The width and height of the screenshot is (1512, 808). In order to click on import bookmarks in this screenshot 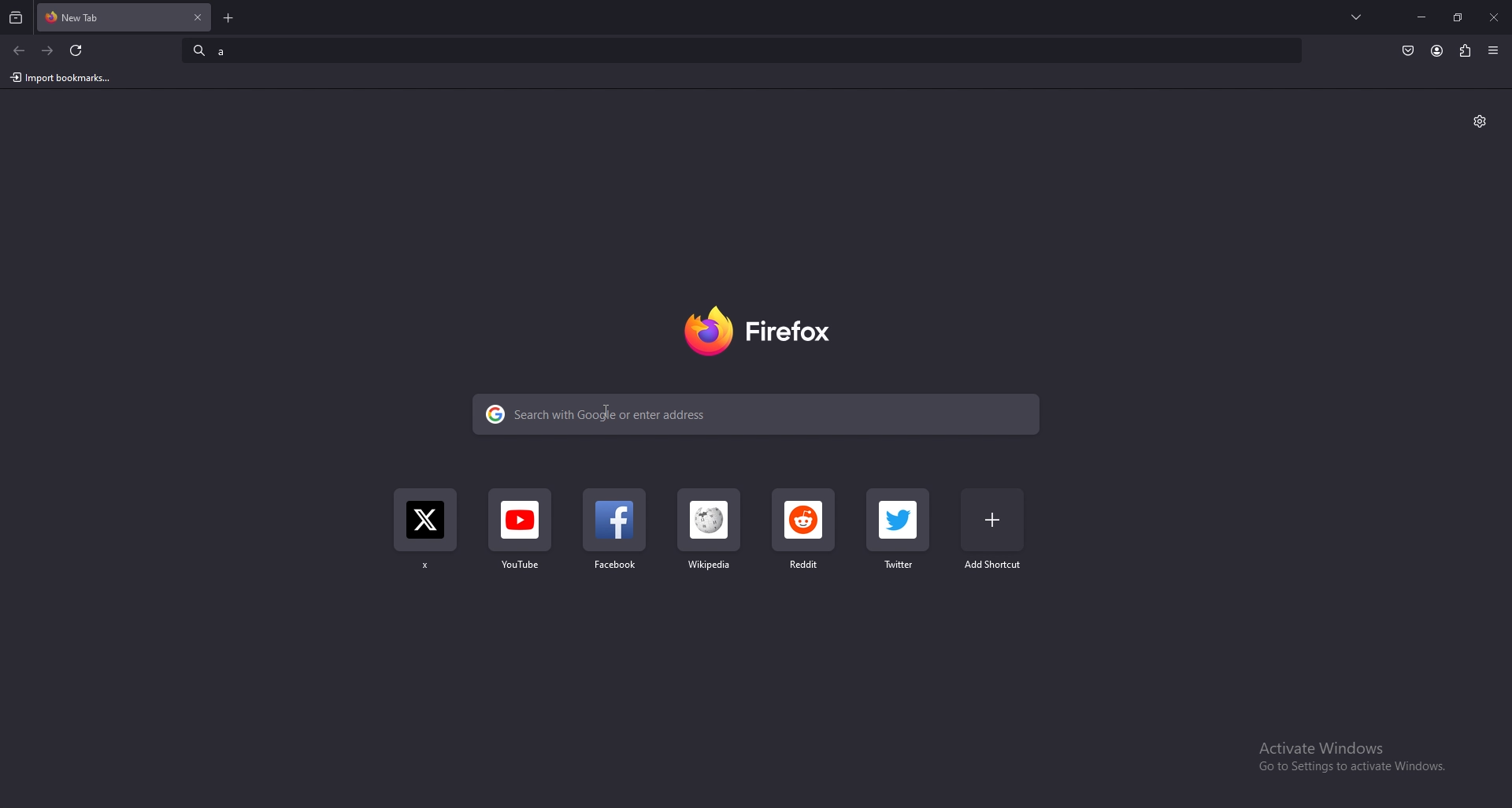, I will do `click(65, 78)`.